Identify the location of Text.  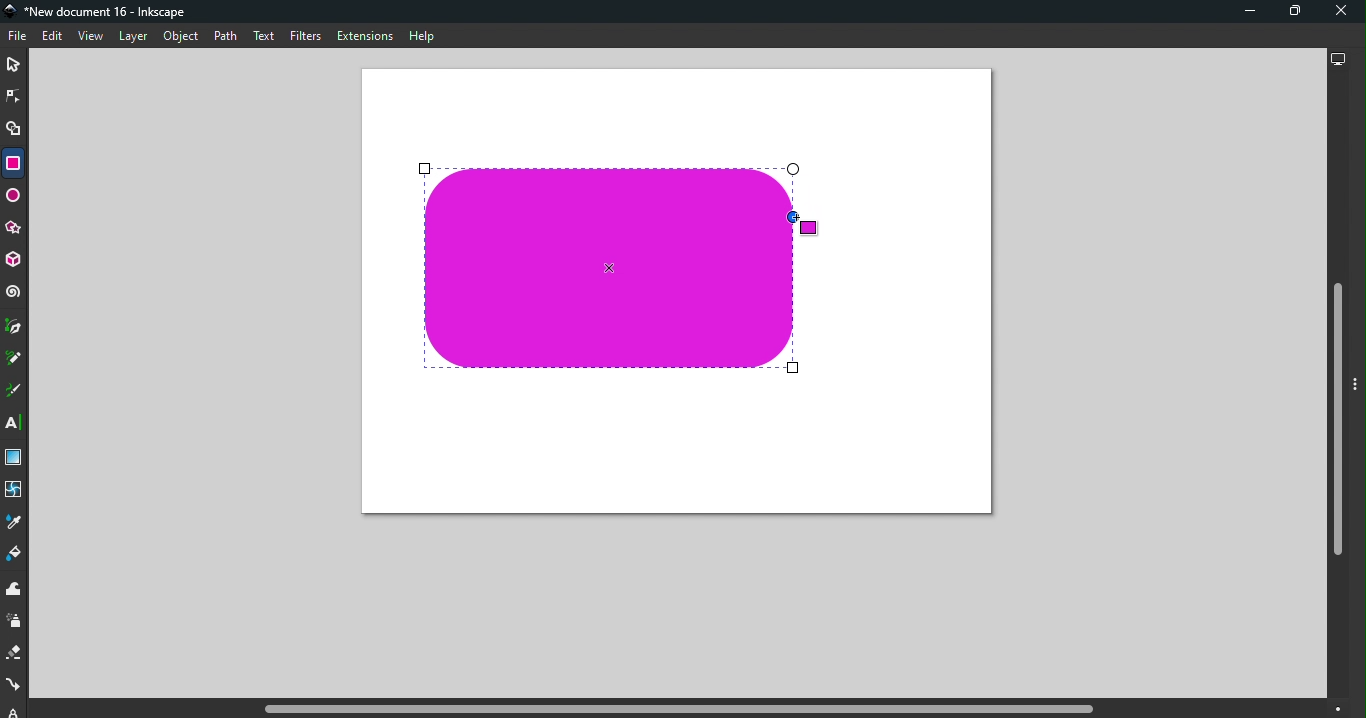
(266, 37).